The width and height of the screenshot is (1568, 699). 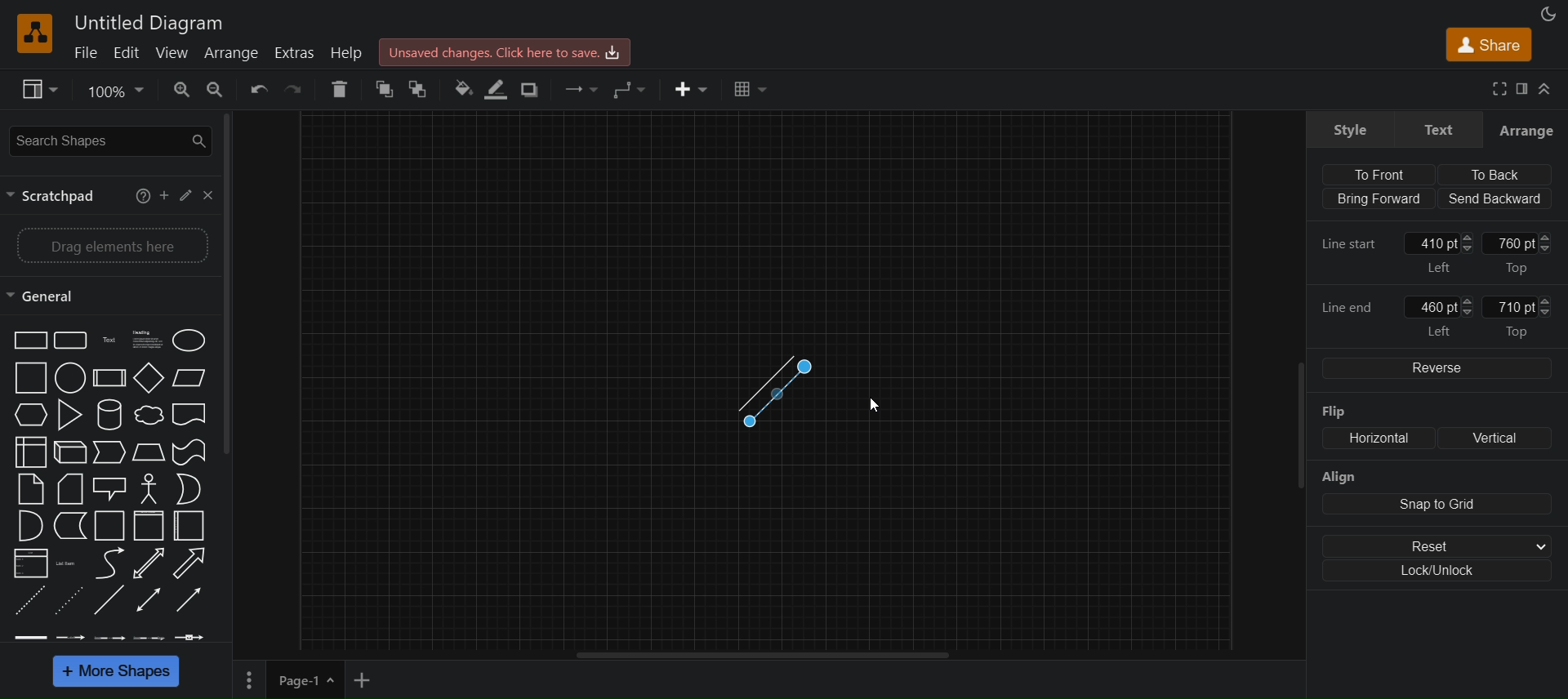 I want to click on page, so click(x=250, y=679).